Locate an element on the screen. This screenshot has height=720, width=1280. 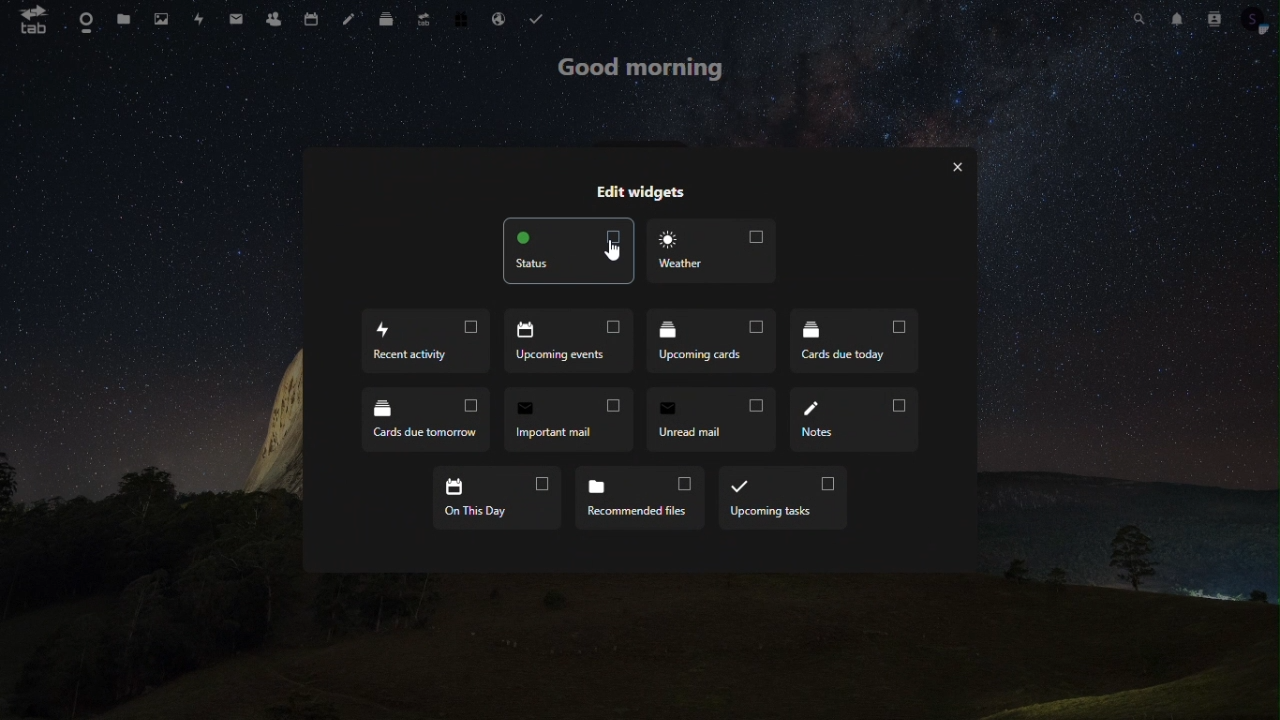
upcoming tasks is located at coordinates (784, 497).